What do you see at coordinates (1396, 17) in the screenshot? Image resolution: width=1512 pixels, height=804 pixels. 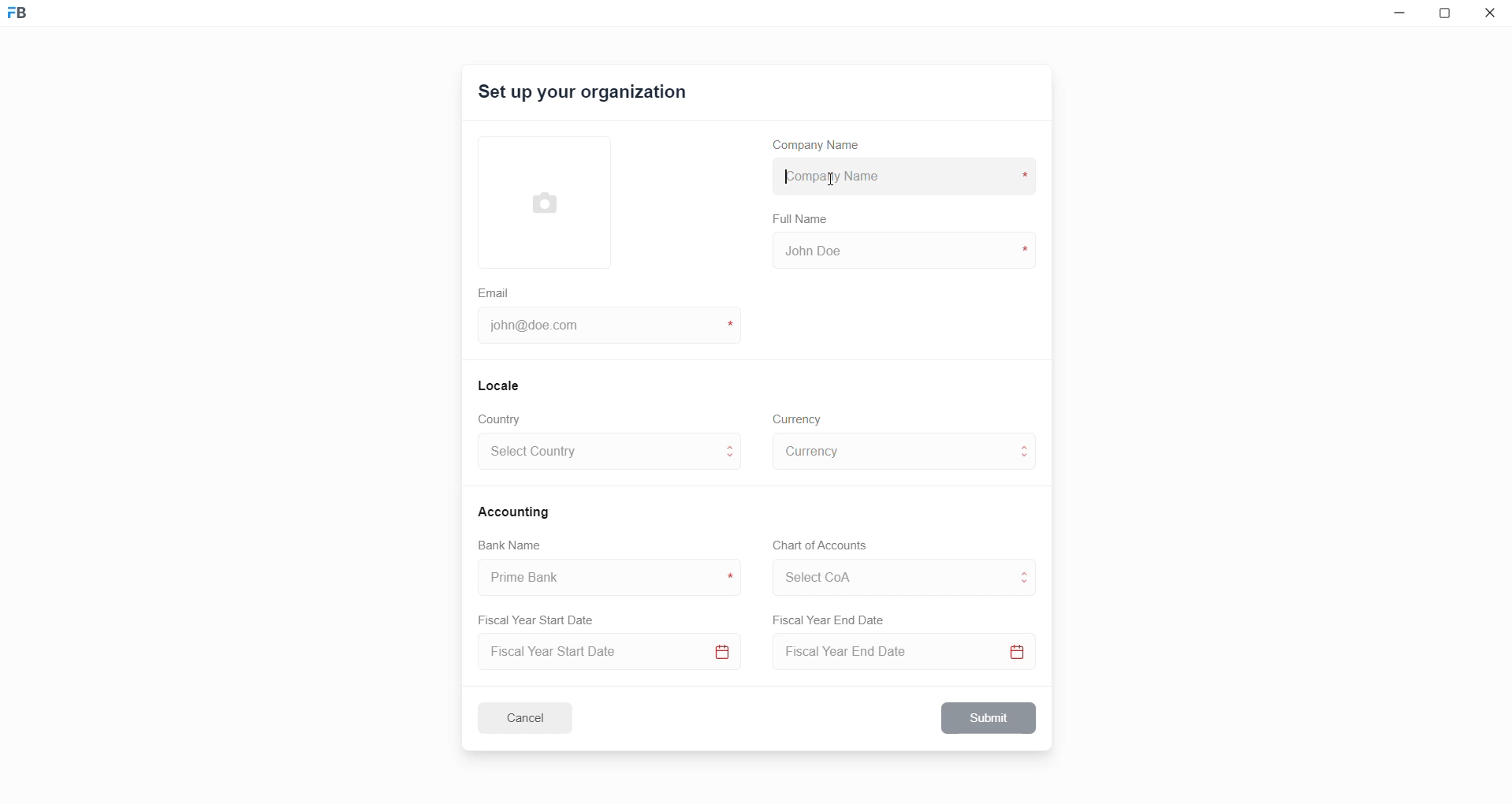 I see `minimize` at bounding box center [1396, 17].